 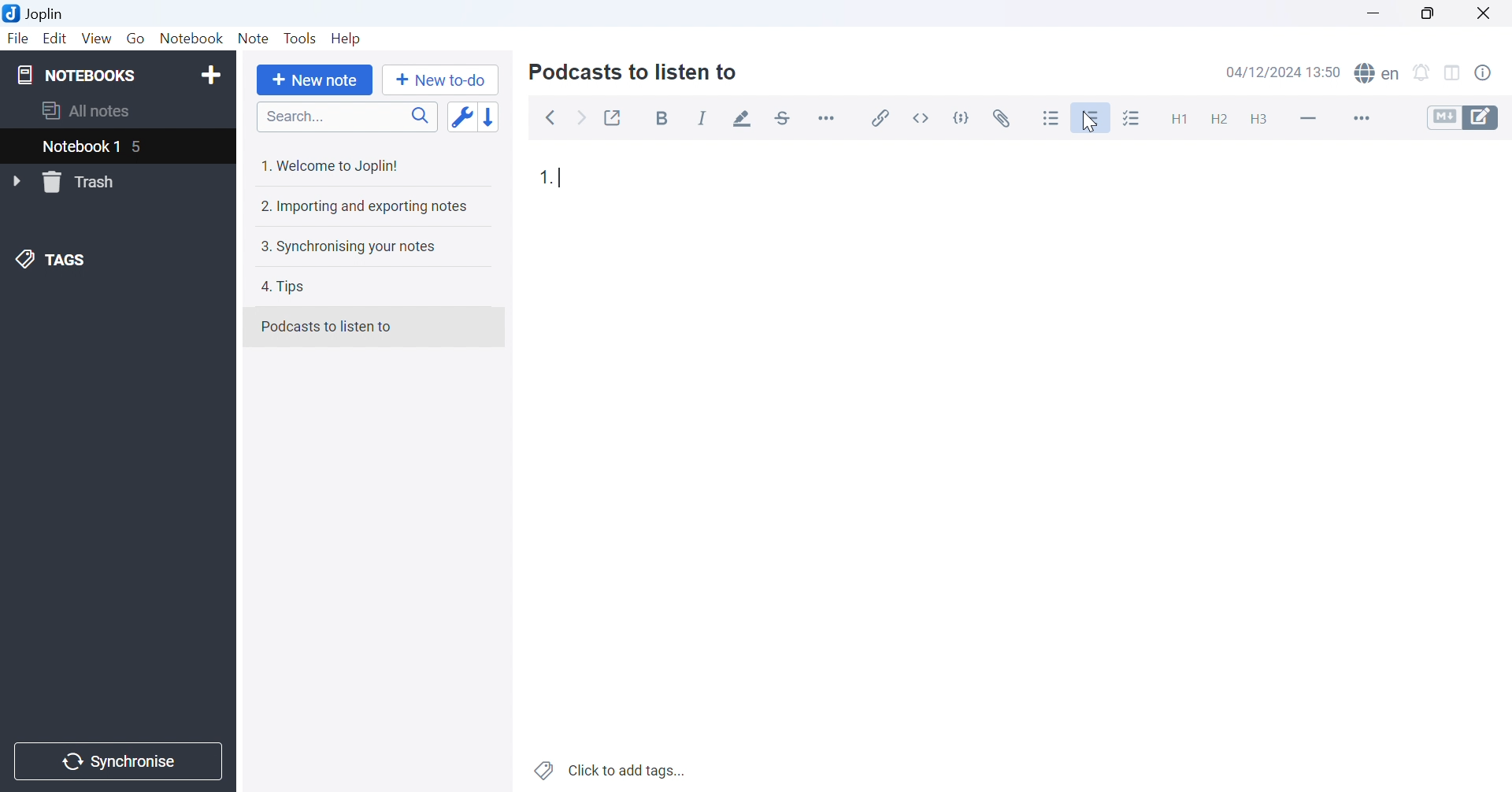 What do you see at coordinates (80, 147) in the screenshot?
I see `Notebook 1` at bounding box center [80, 147].